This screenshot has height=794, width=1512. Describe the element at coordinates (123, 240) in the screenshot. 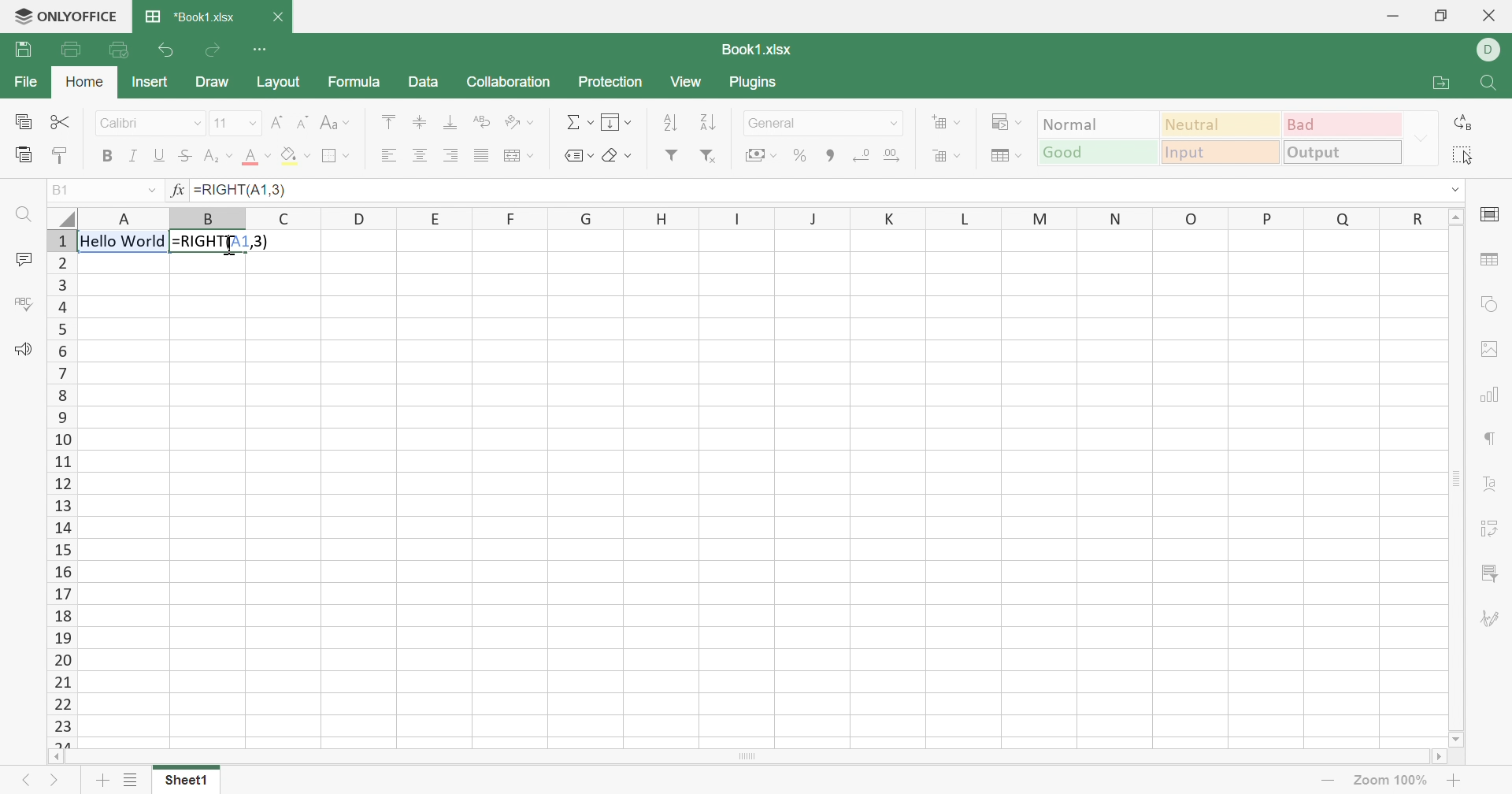

I see `Hello World` at that location.